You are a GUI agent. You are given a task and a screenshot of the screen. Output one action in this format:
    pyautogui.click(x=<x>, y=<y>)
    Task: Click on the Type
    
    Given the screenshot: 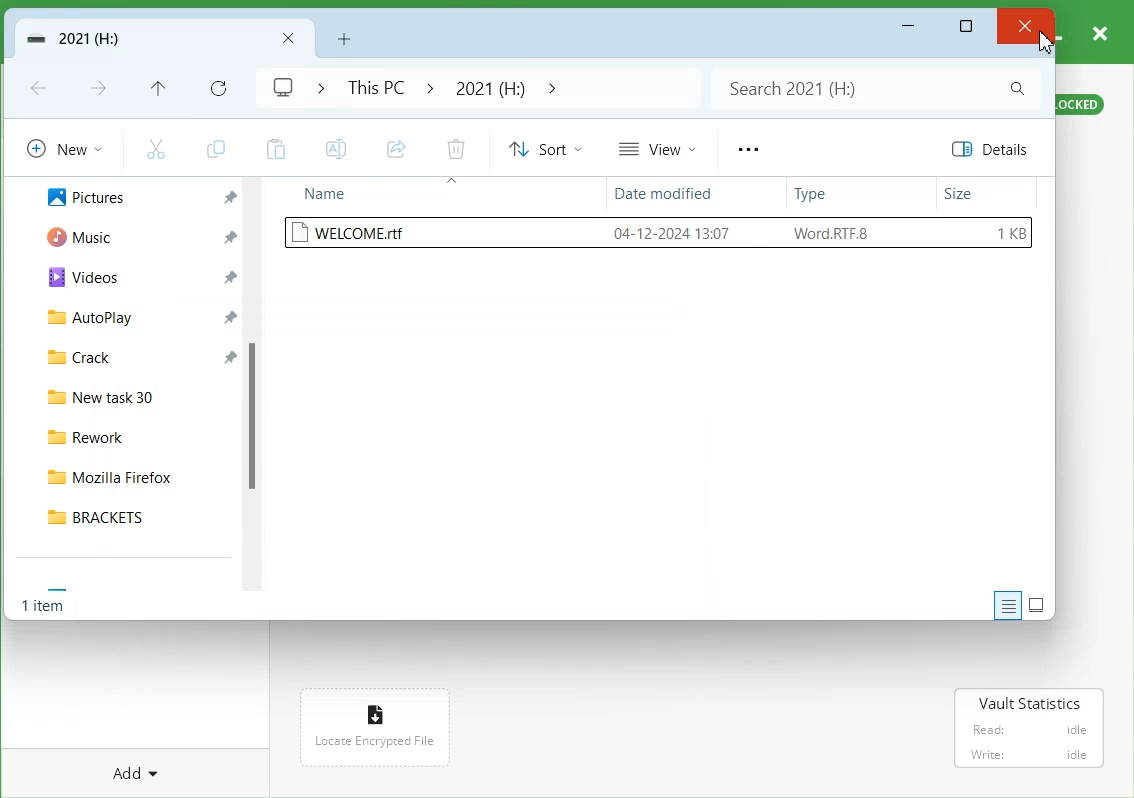 What is the action you would take?
    pyautogui.click(x=840, y=195)
    